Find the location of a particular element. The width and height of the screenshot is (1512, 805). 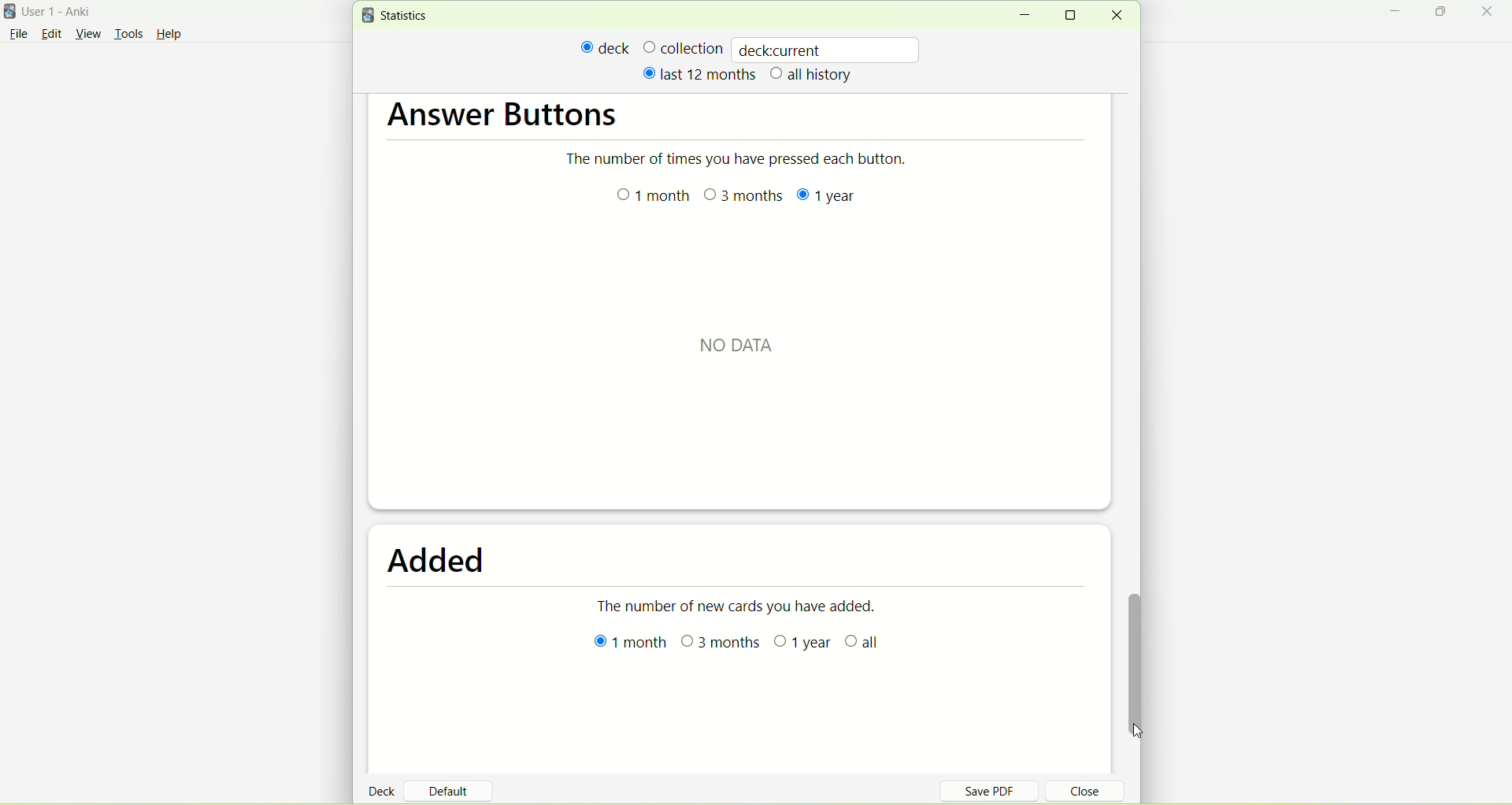

deck is located at coordinates (384, 790).